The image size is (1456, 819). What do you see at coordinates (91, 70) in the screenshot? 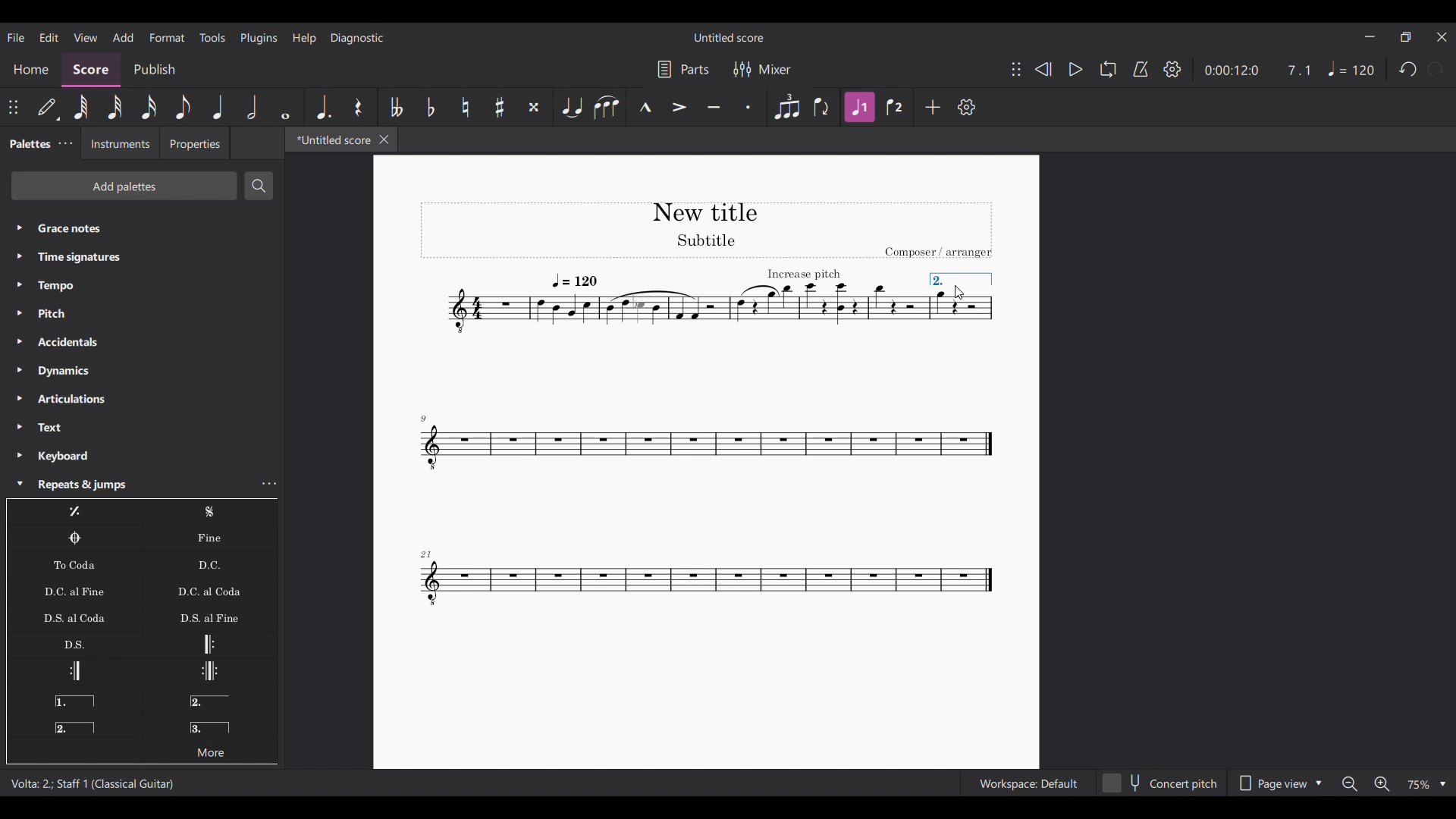
I see `Score, current section highlighted` at bounding box center [91, 70].